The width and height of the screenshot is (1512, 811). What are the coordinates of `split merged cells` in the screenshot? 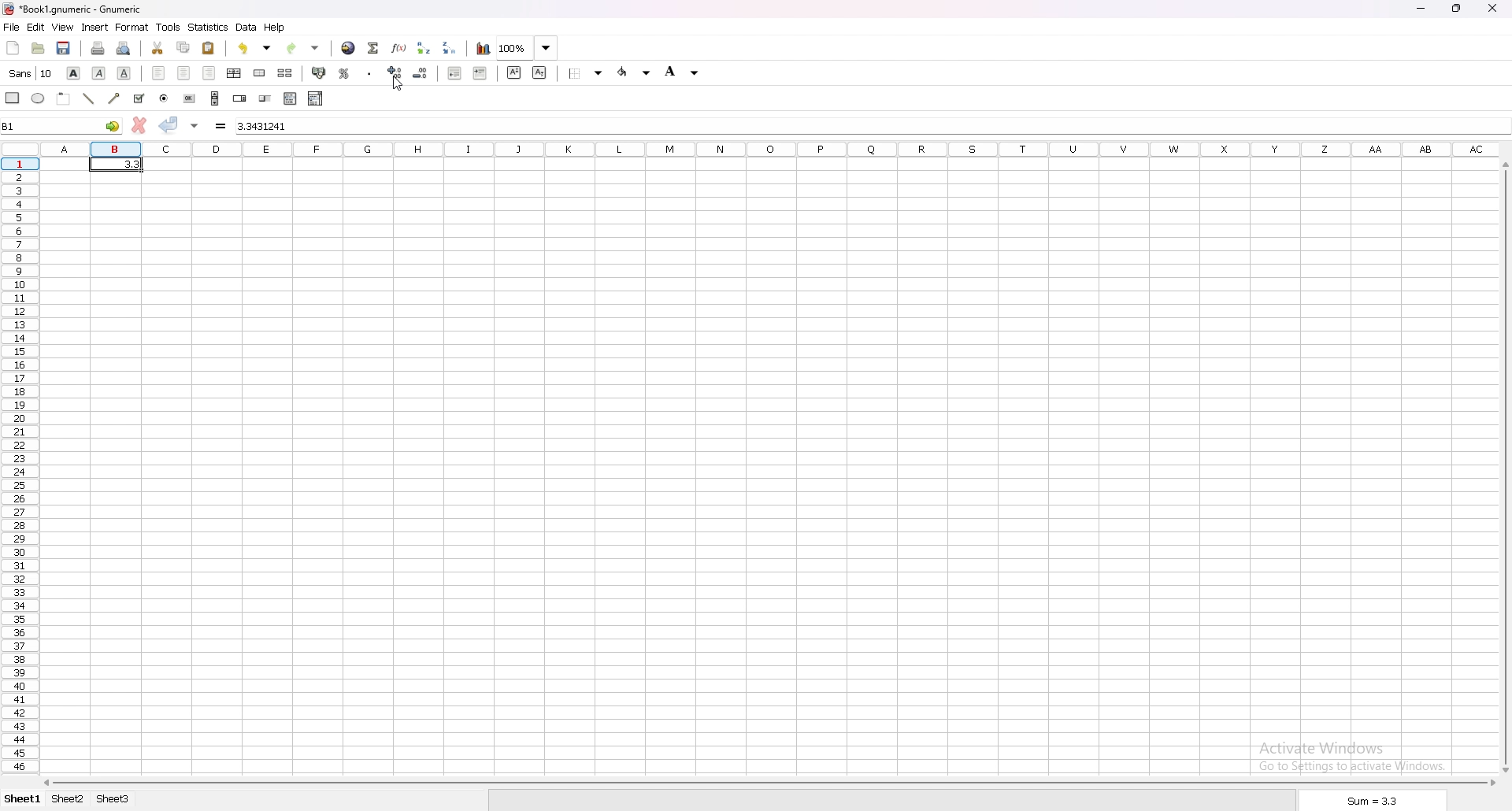 It's located at (285, 73).